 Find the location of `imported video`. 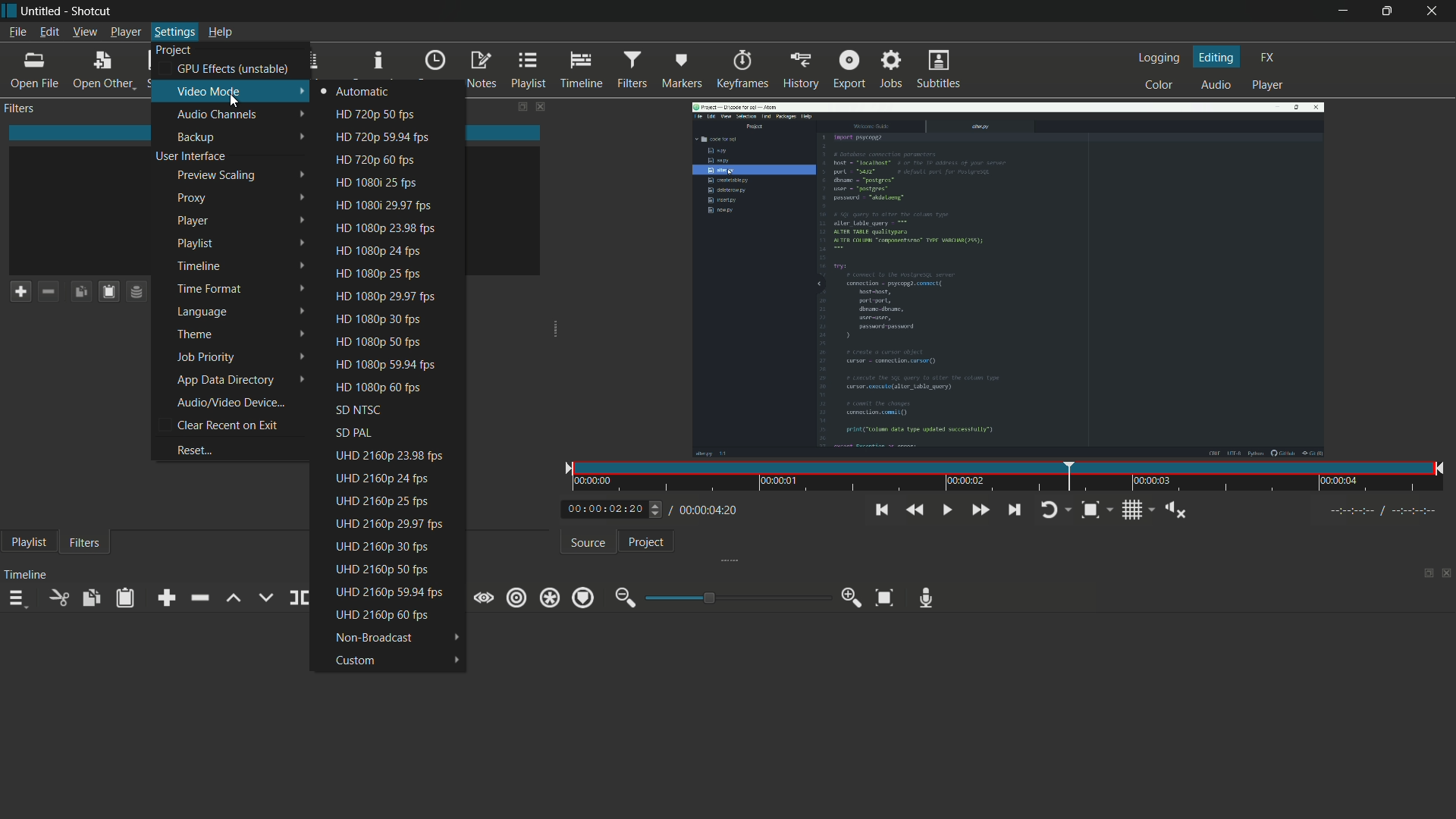

imported video is located at coordinates (1008, 276).